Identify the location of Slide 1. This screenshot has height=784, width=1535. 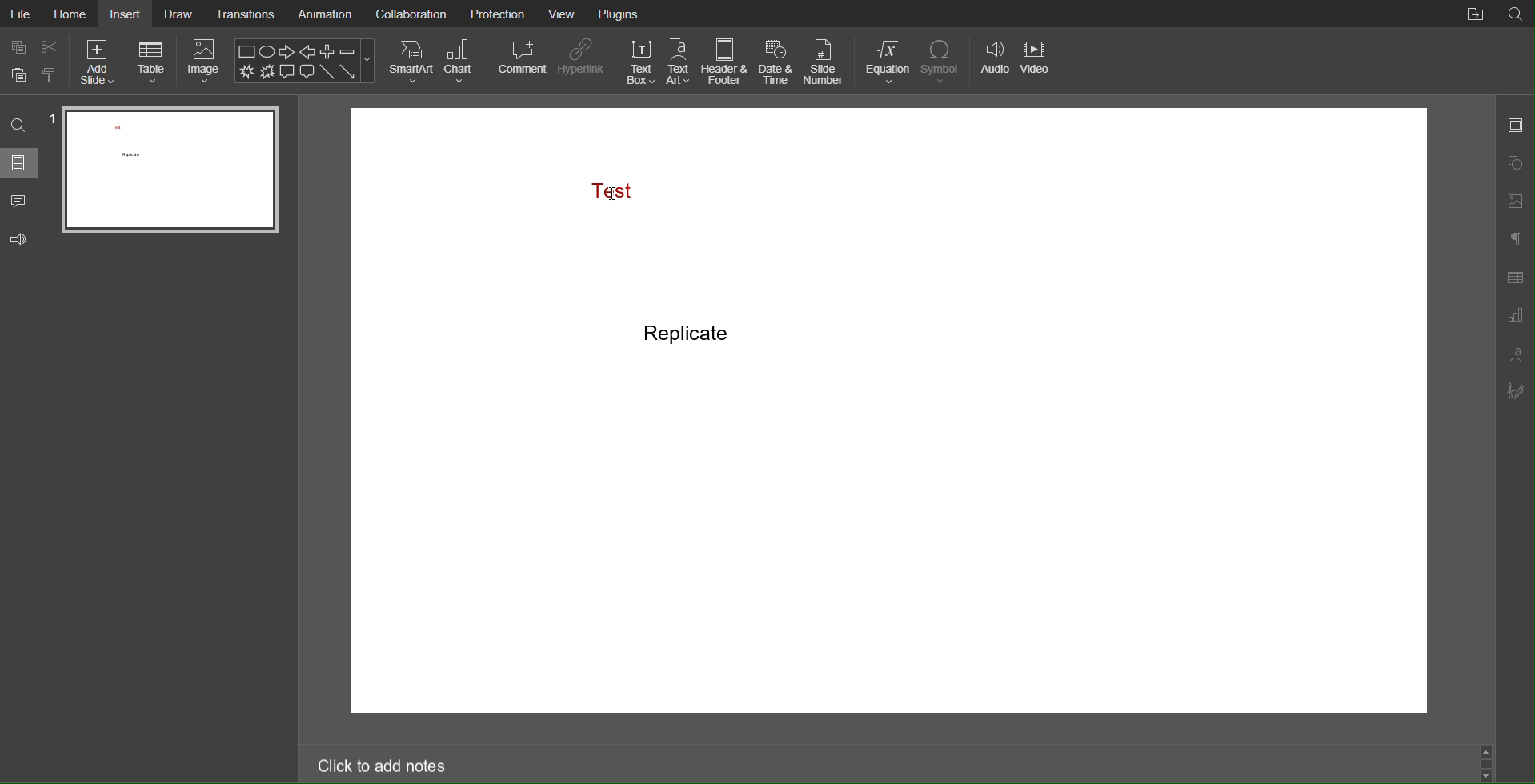
(168, 171).